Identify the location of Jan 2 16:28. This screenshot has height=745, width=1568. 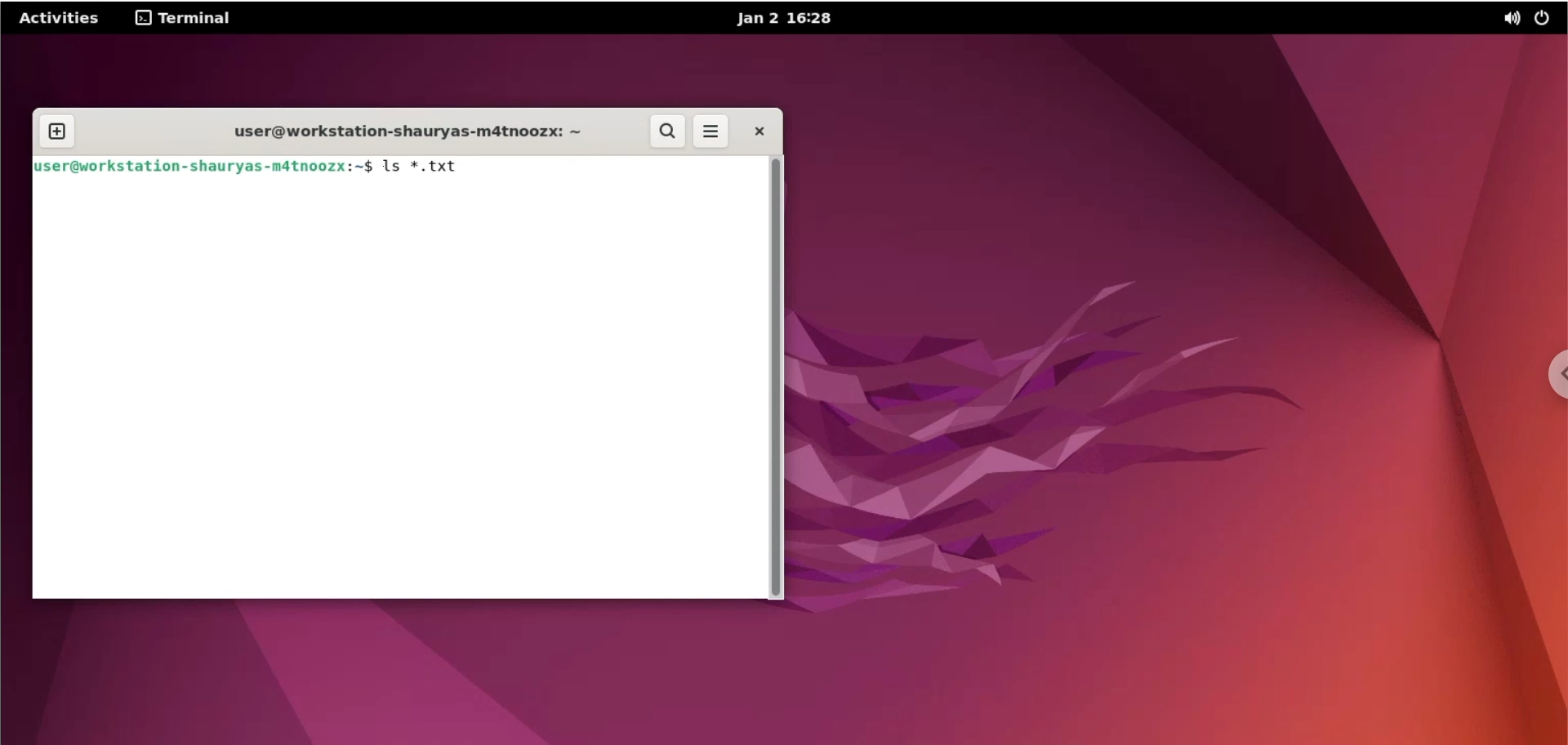
(791, 20).